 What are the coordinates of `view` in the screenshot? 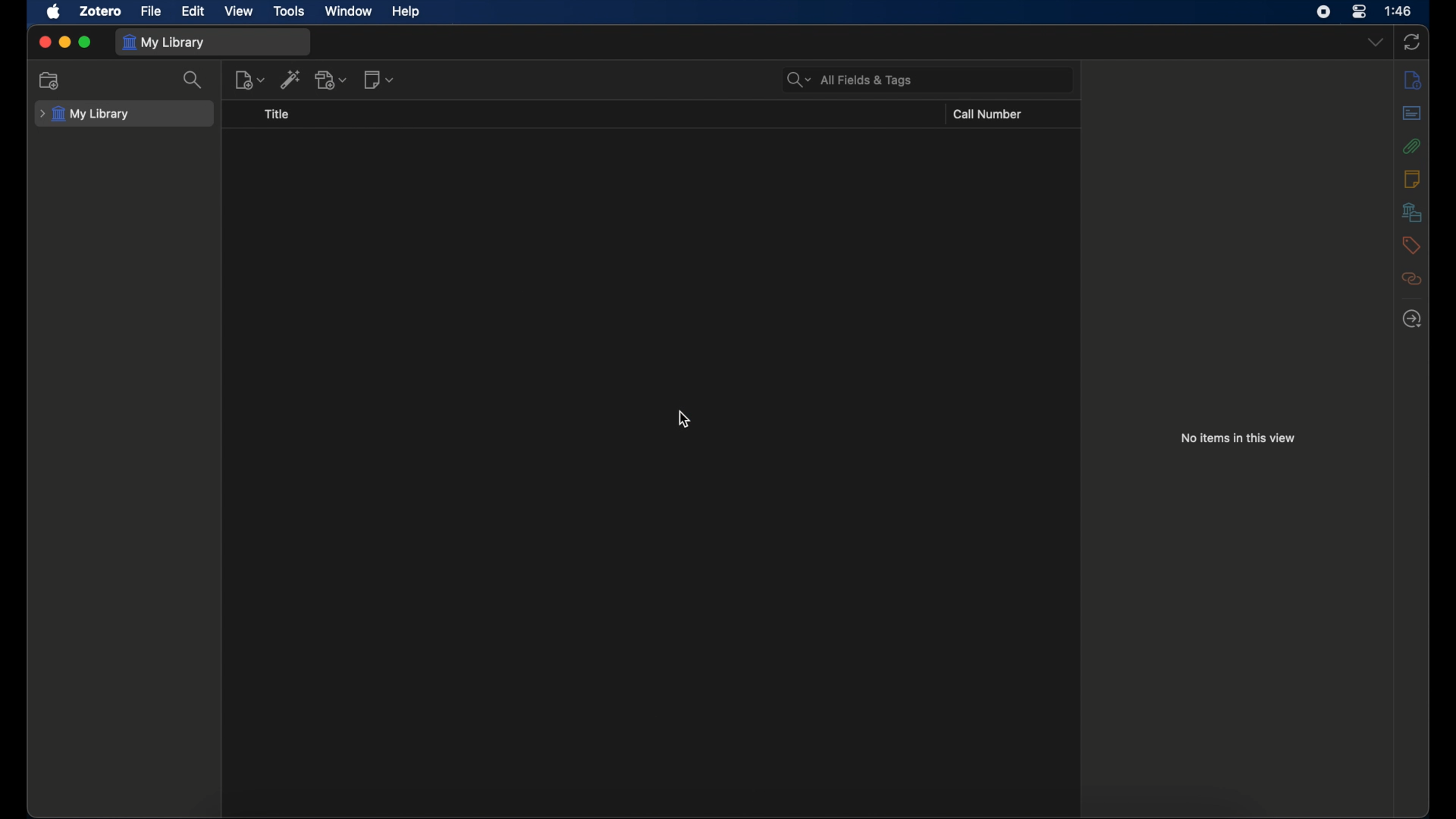 It's located at (237, 12).